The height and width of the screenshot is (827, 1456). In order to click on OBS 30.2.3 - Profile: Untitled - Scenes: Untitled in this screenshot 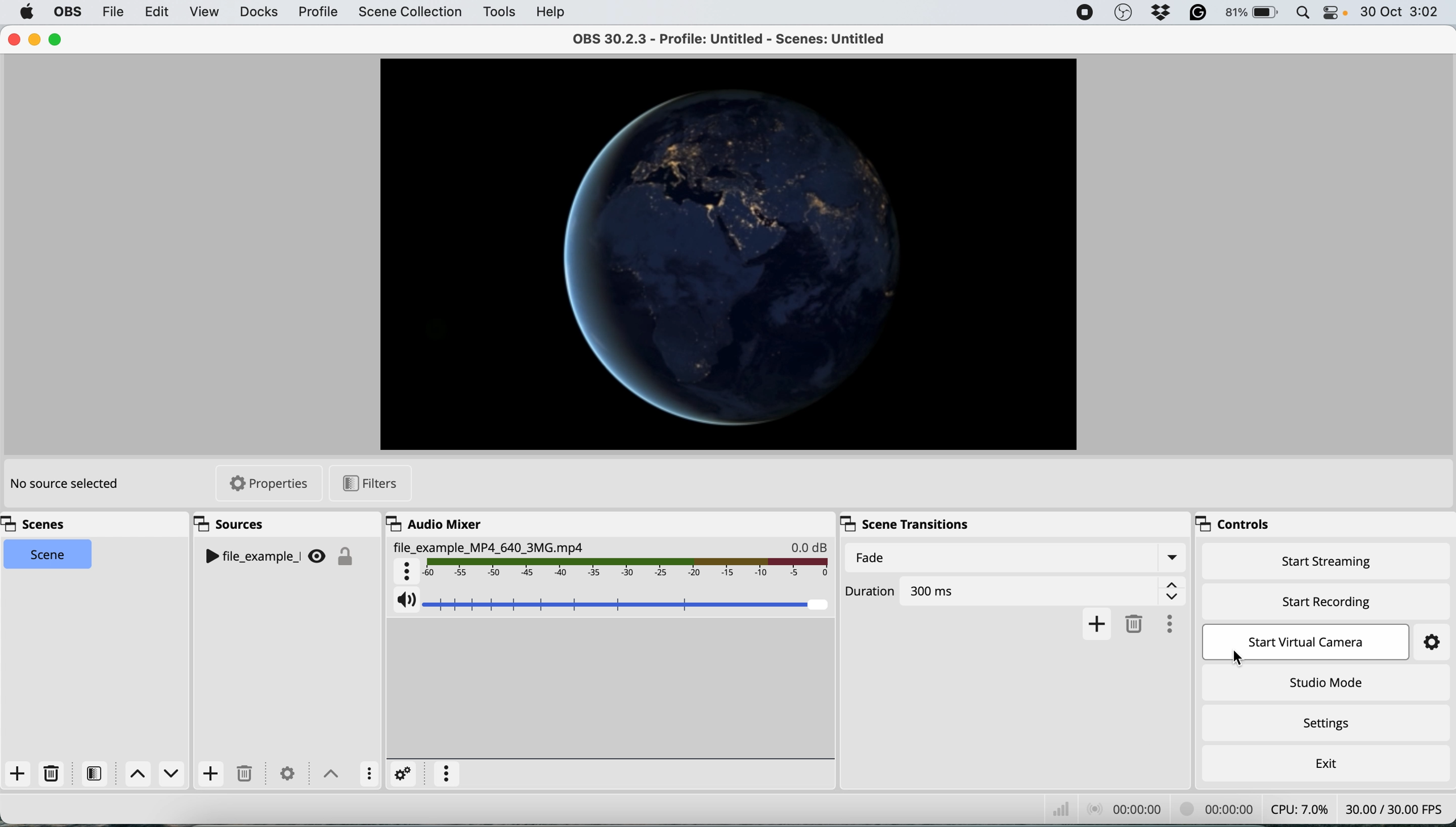, I will do `click(722, 40)`.